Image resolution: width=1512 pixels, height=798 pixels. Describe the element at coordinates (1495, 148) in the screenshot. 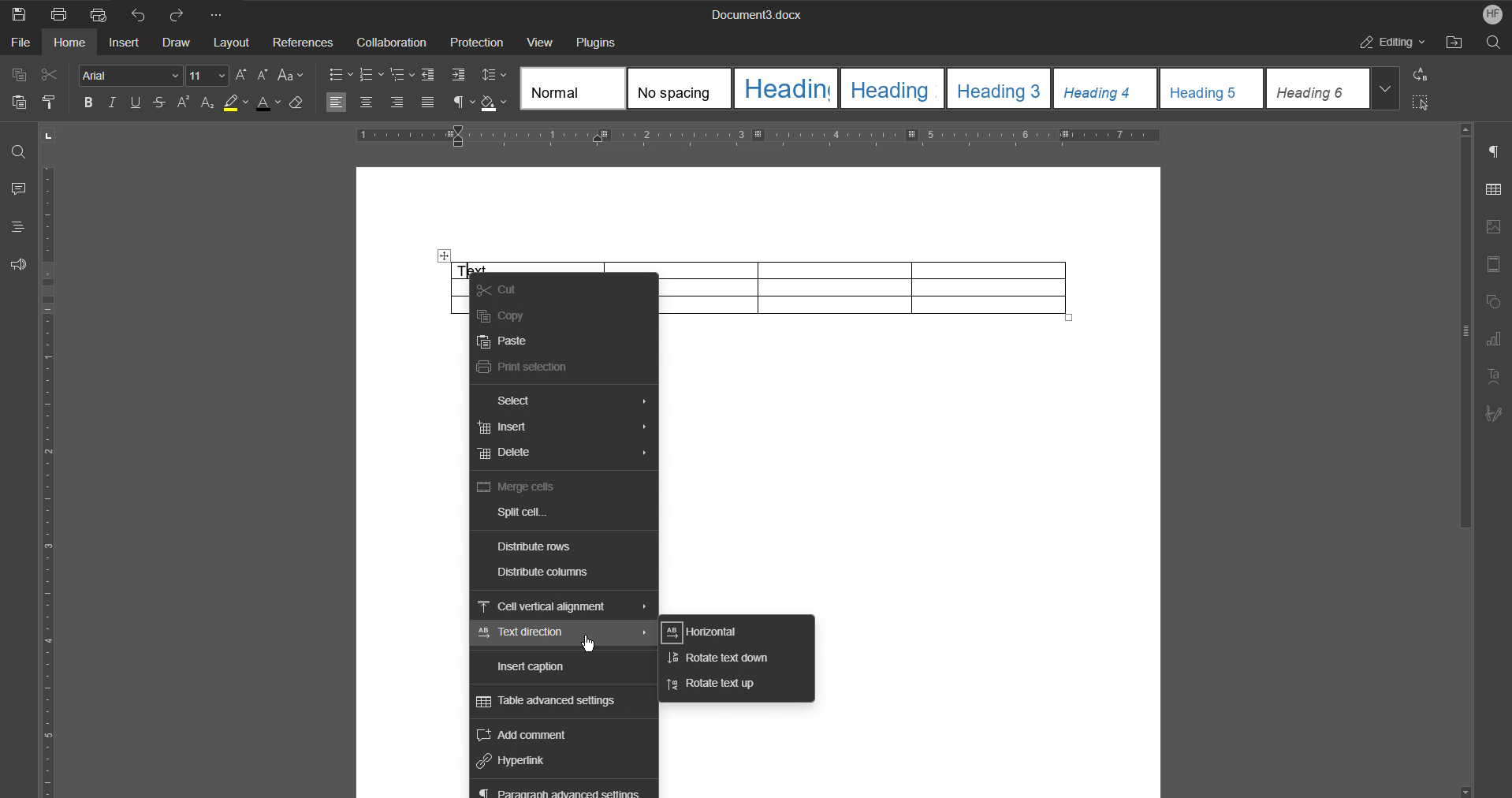

I see `Paragraph Settings` at that location.